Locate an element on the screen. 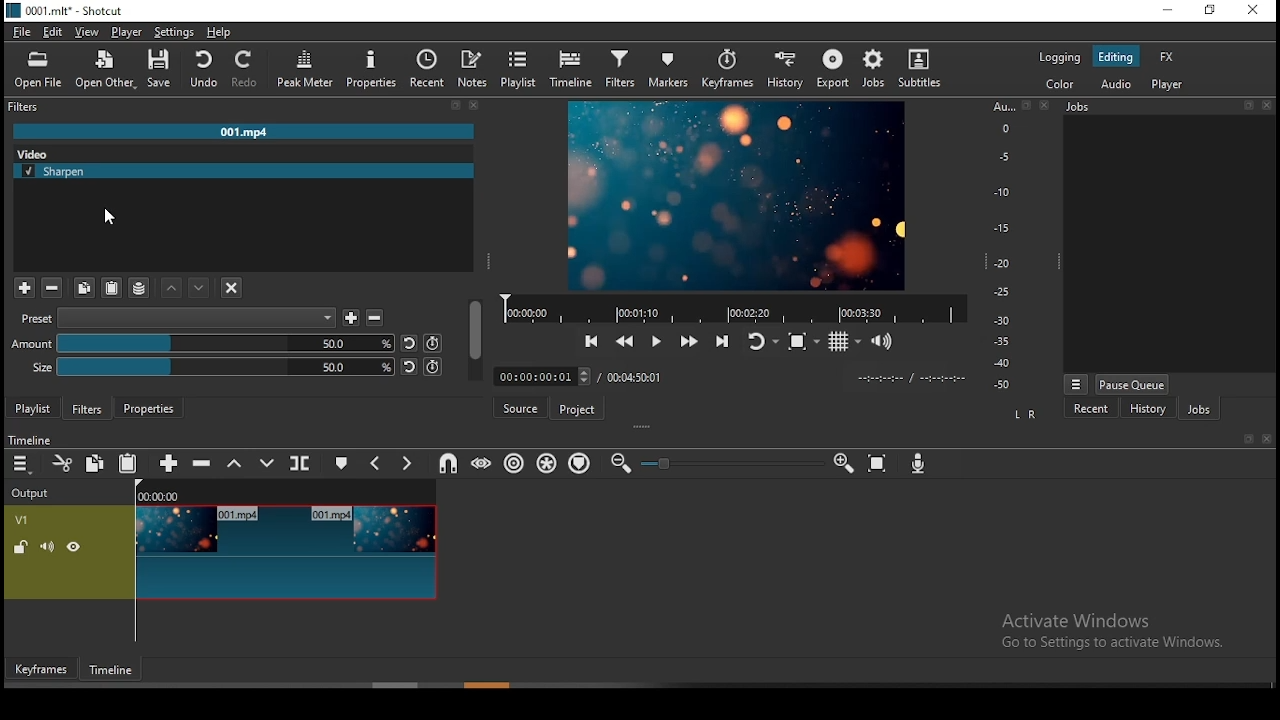  zoom timeline to fit is located at coordinates (878, 464).